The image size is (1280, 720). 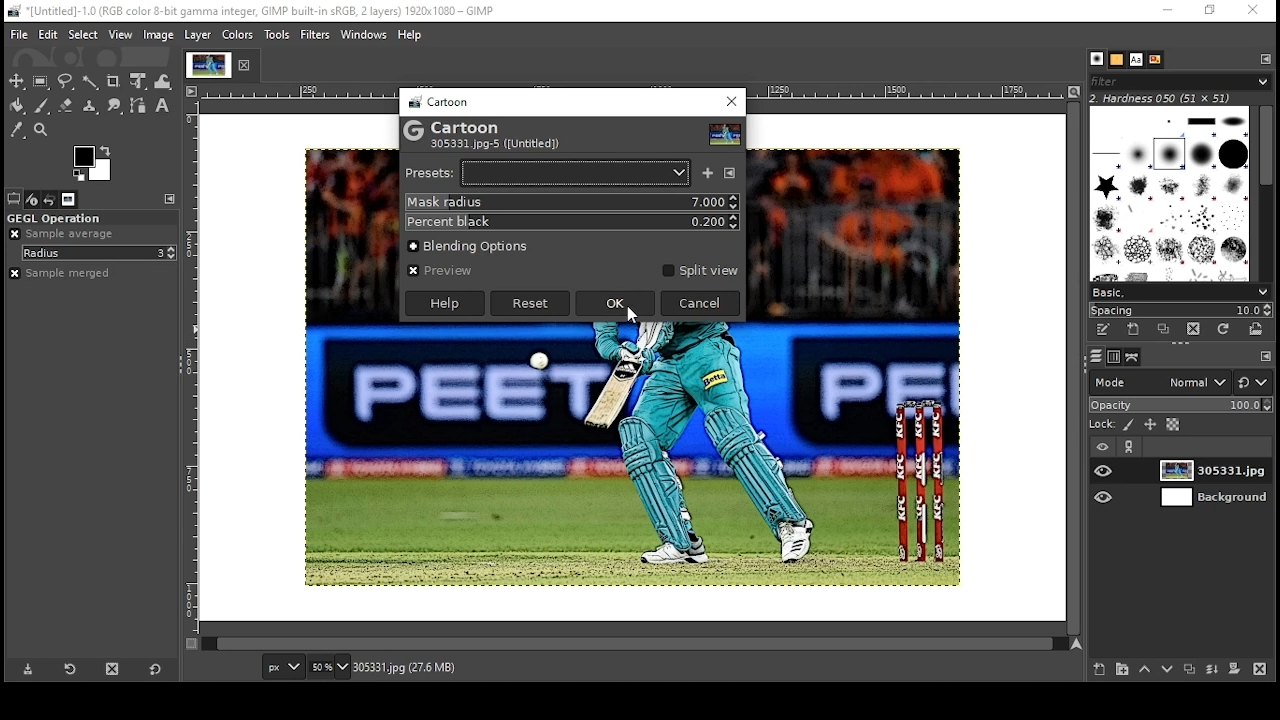 I want to click on close window, so click(x=732, y=101).